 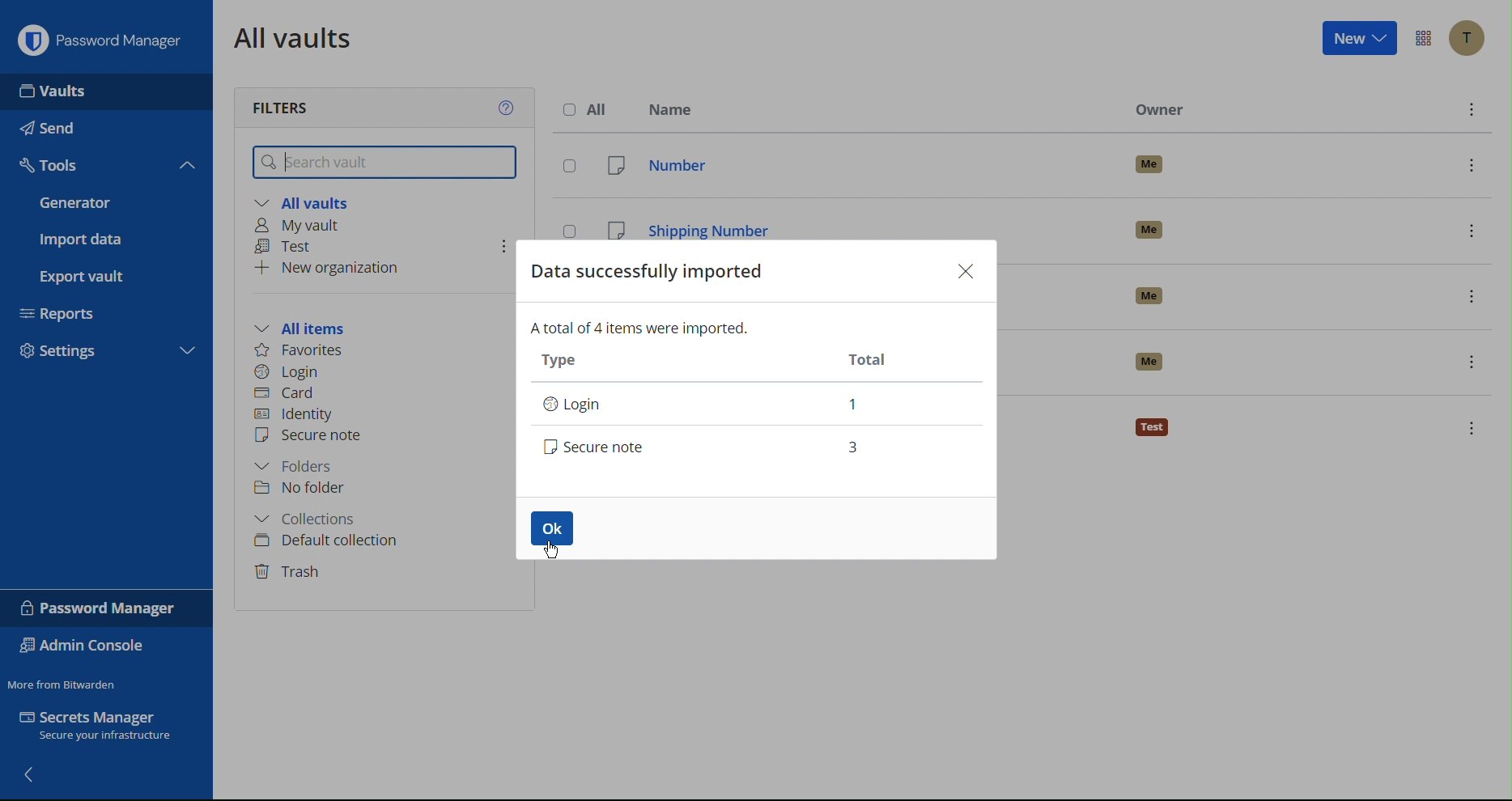 What do you see at coordinates (389, 163) in the screenshot?
I see `Search vault` at bounding box center [389, 163].